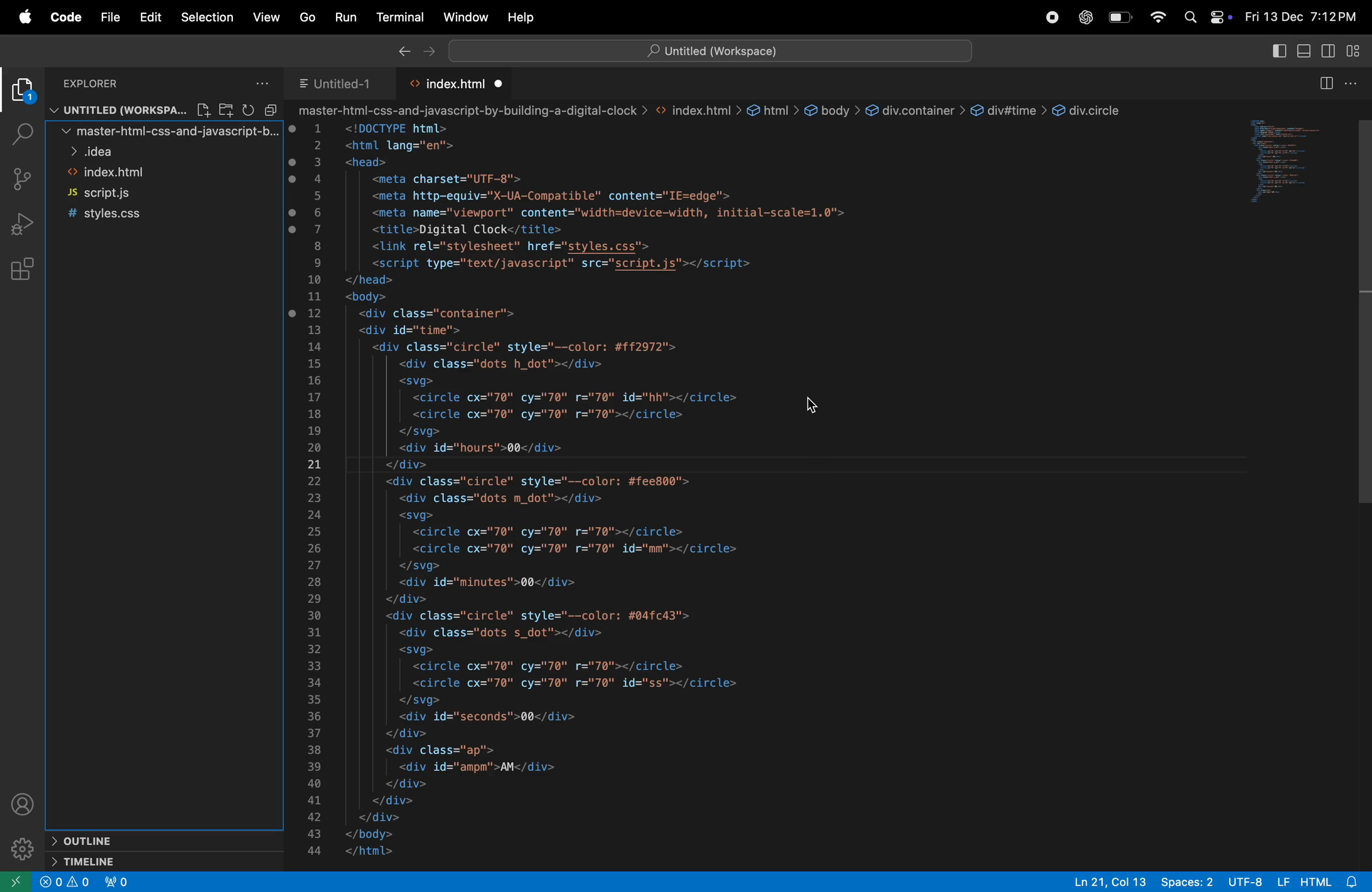 This screenshot has width=1372, height=892. I want to click on terminal, so click(401, 17).